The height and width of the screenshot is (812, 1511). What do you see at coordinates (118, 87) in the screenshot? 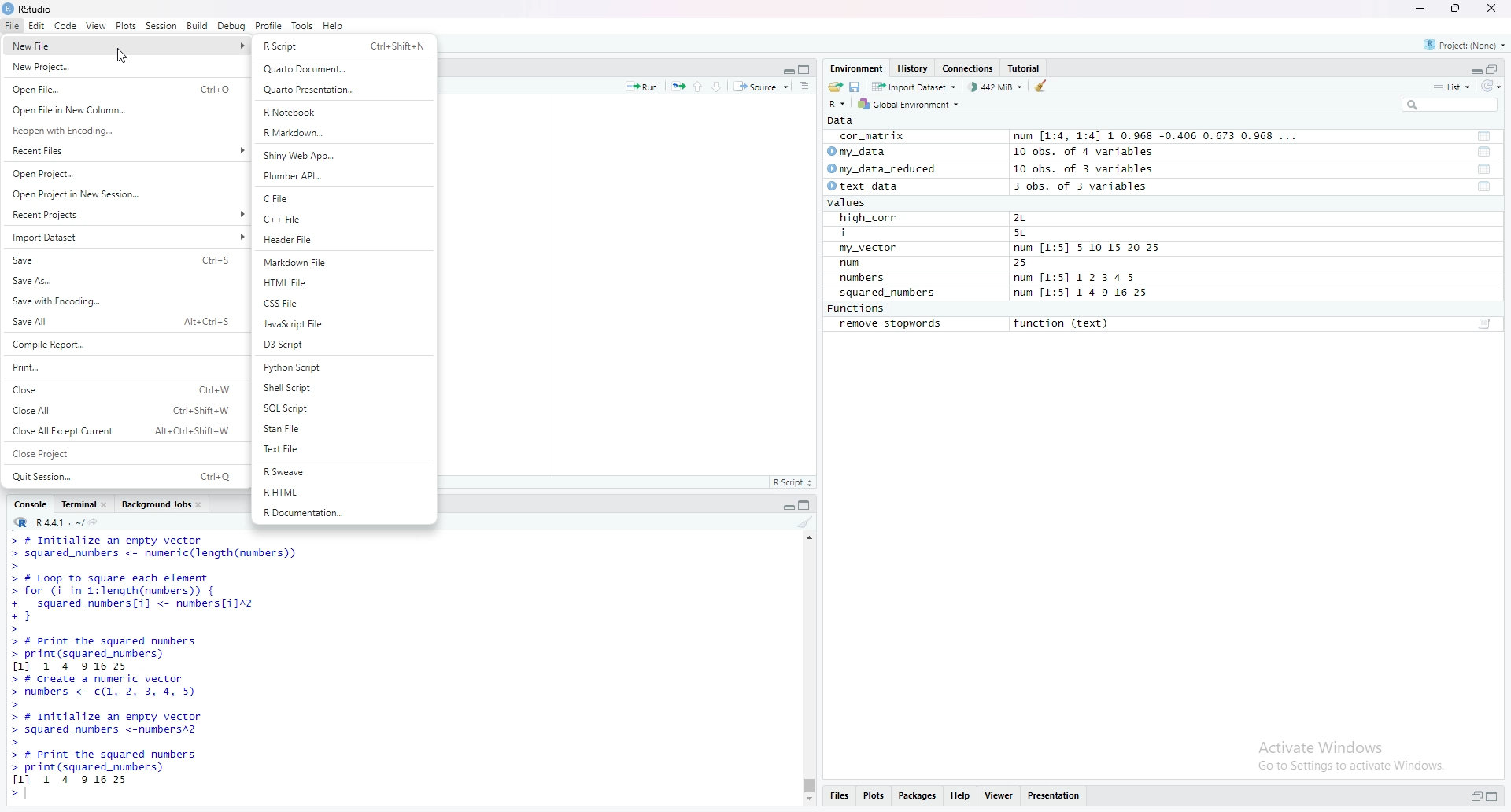
I see `‘Open File.` at bounding box center [118, 87].